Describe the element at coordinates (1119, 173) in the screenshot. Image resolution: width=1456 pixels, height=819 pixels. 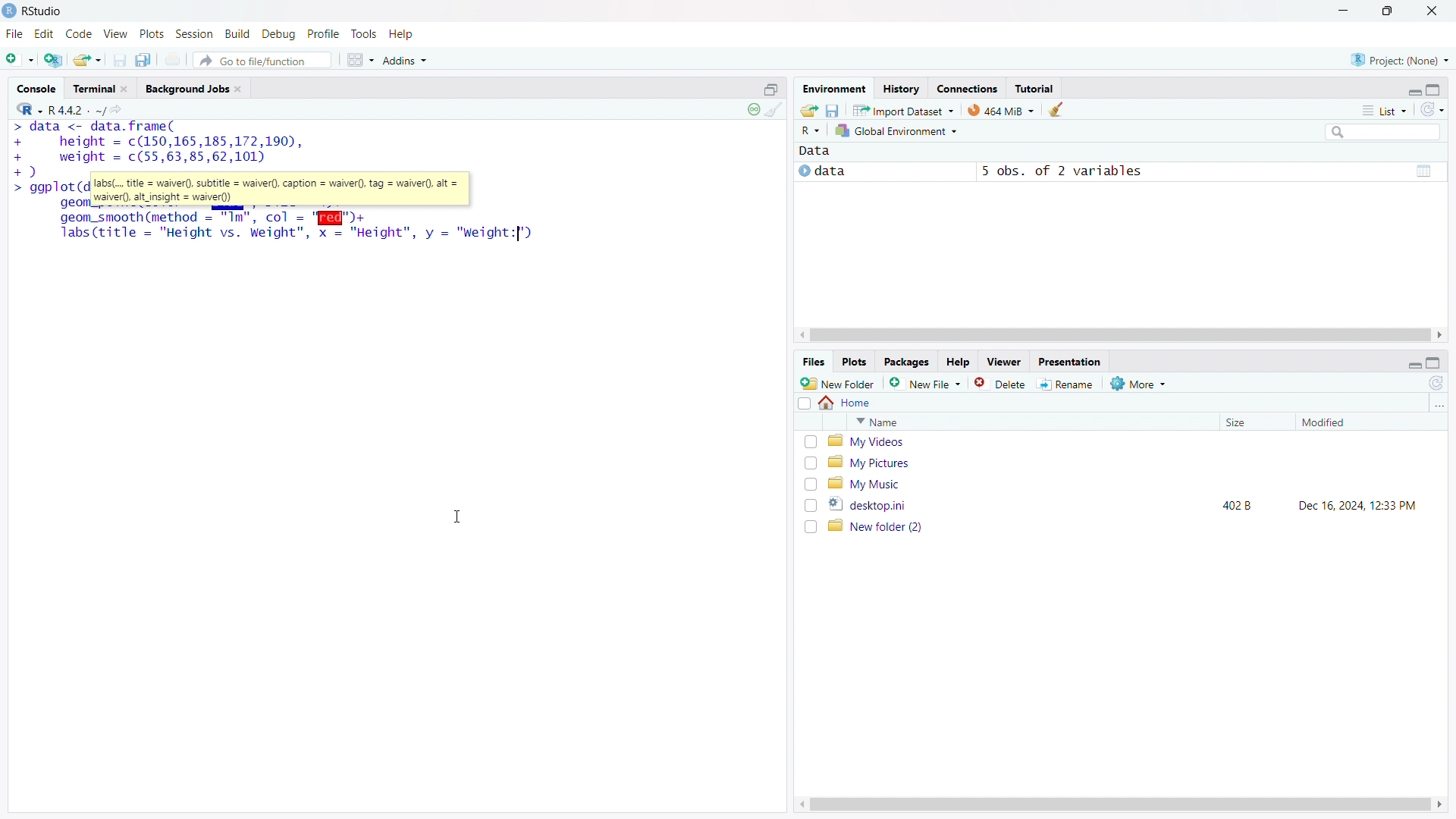
I see `data 5obs. of 2 variables` at that location.